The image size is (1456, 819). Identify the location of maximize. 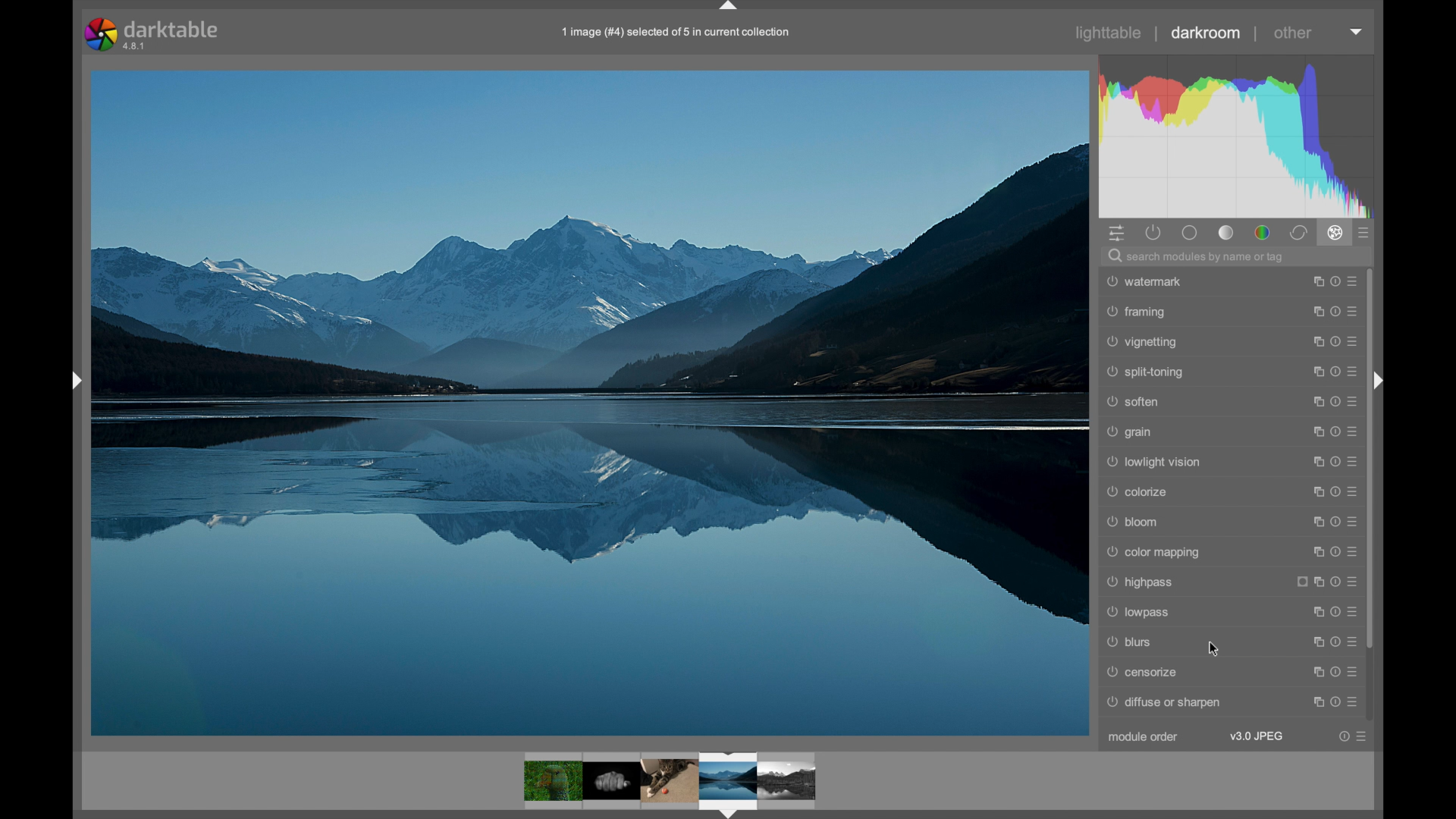
(1316, 582).